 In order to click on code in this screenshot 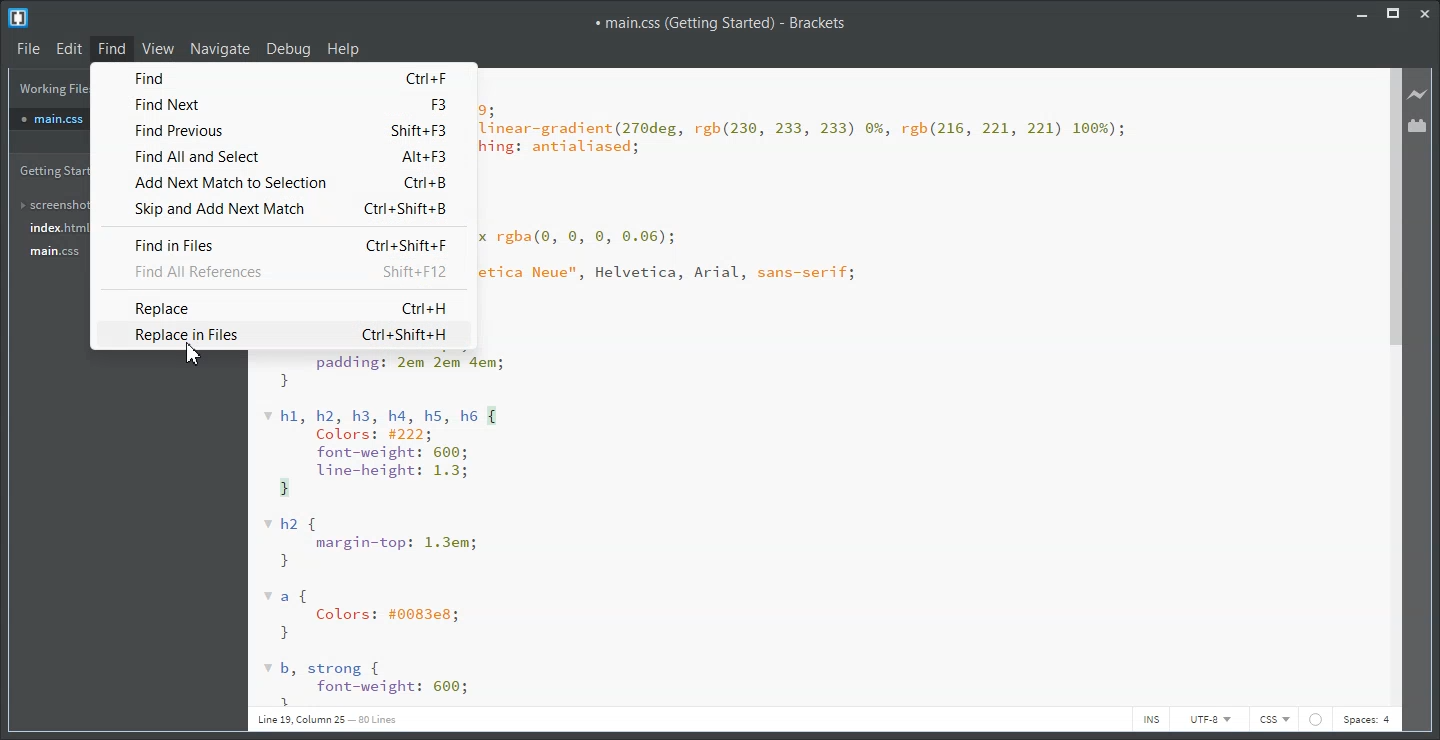, I will do `click(808, 197)`.